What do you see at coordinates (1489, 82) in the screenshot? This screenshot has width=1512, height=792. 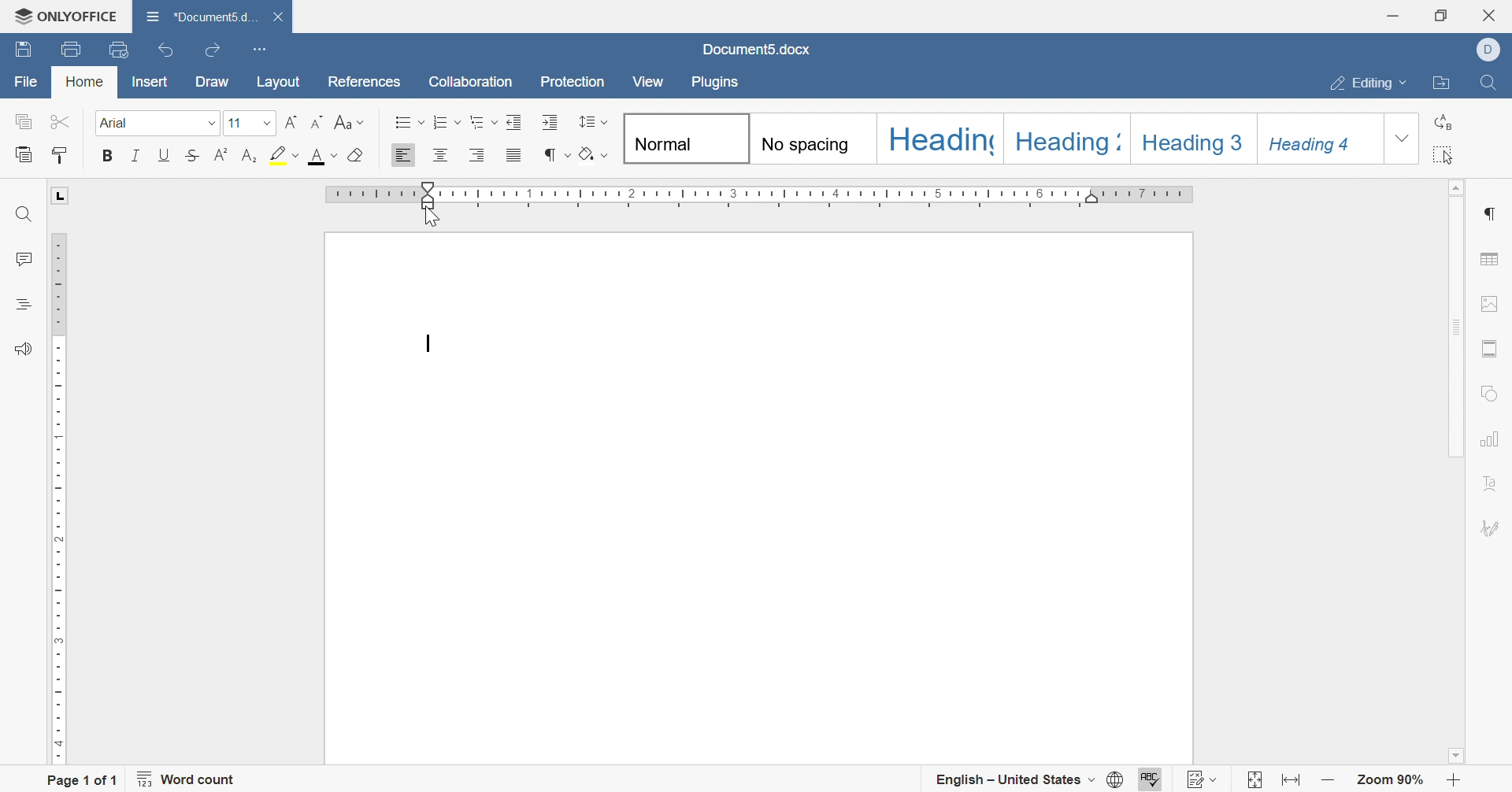 I see `find` at bounding box center [1489, 82].